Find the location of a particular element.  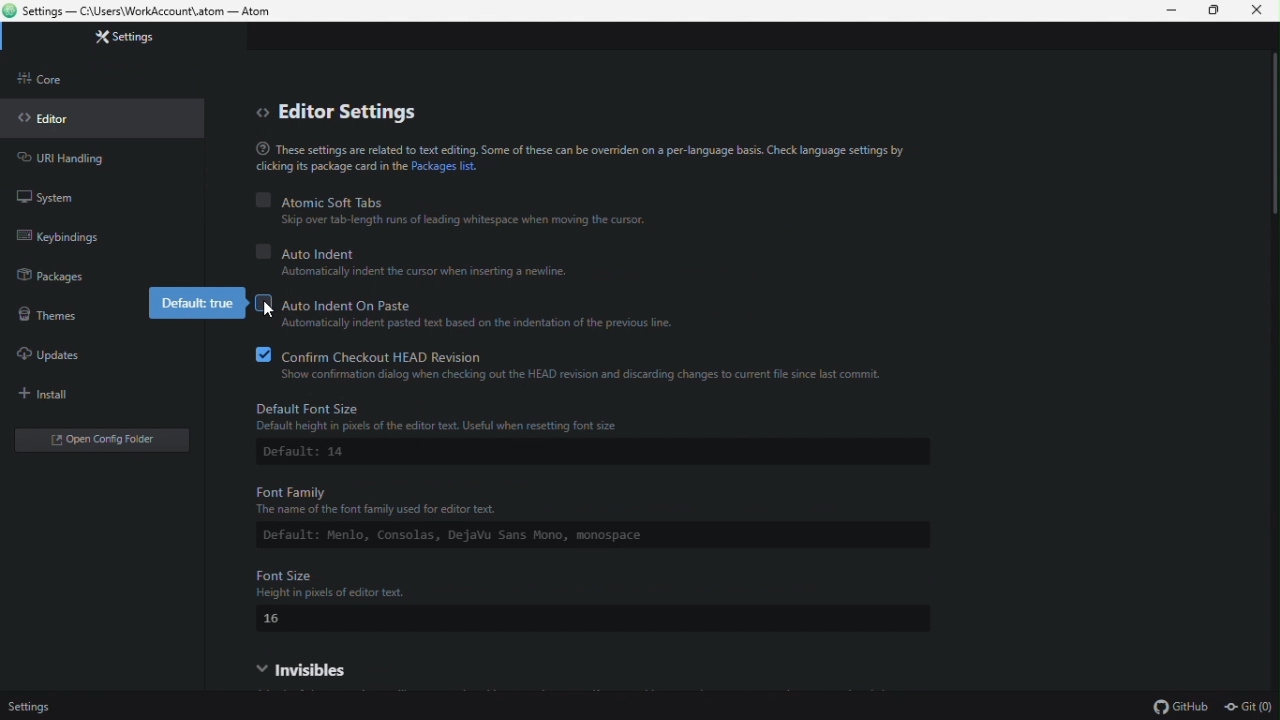

Core  is located at coordinates (68, 77).